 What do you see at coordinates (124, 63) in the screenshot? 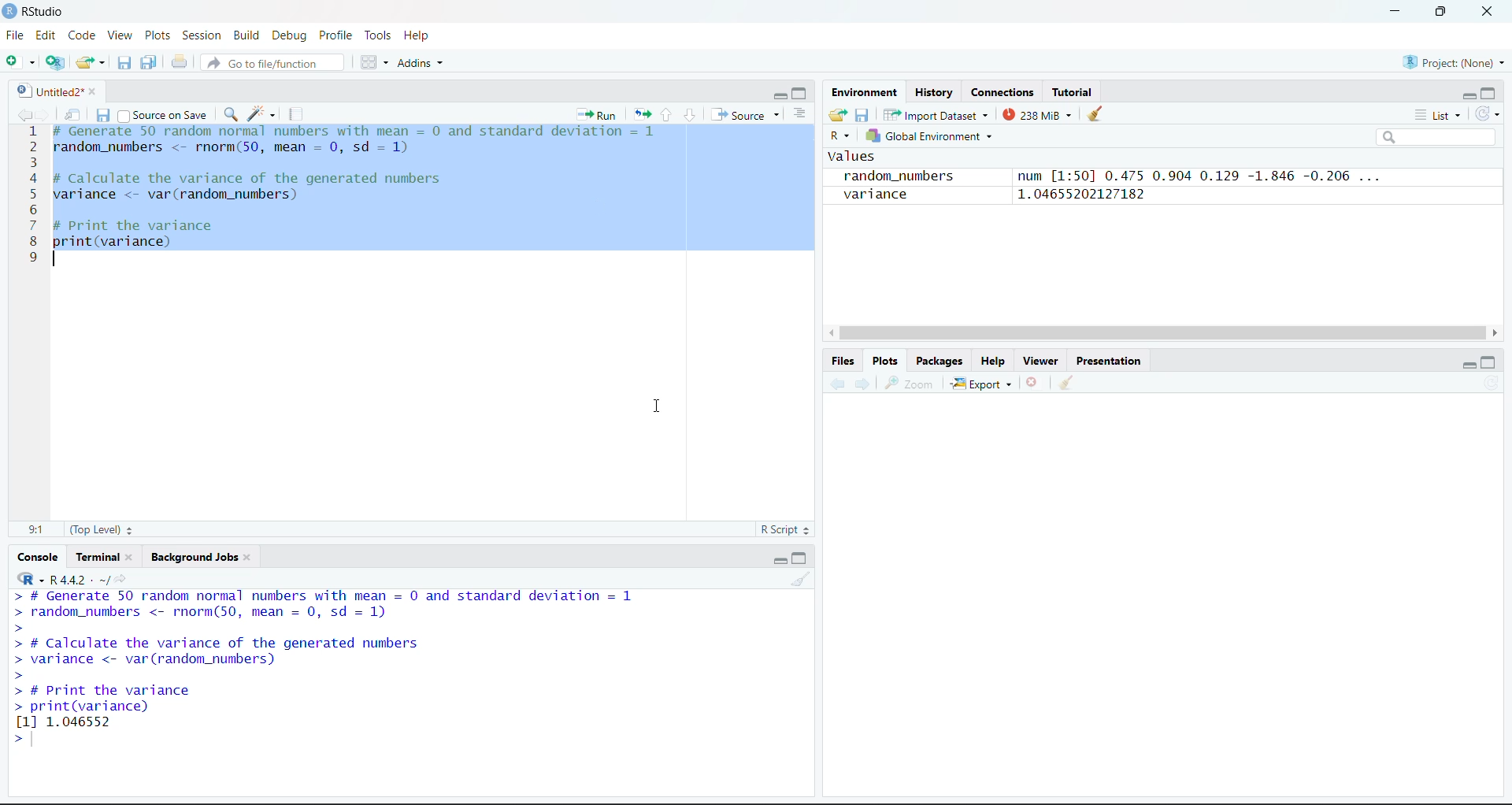
I see `save` at bounding box center [124, 63].